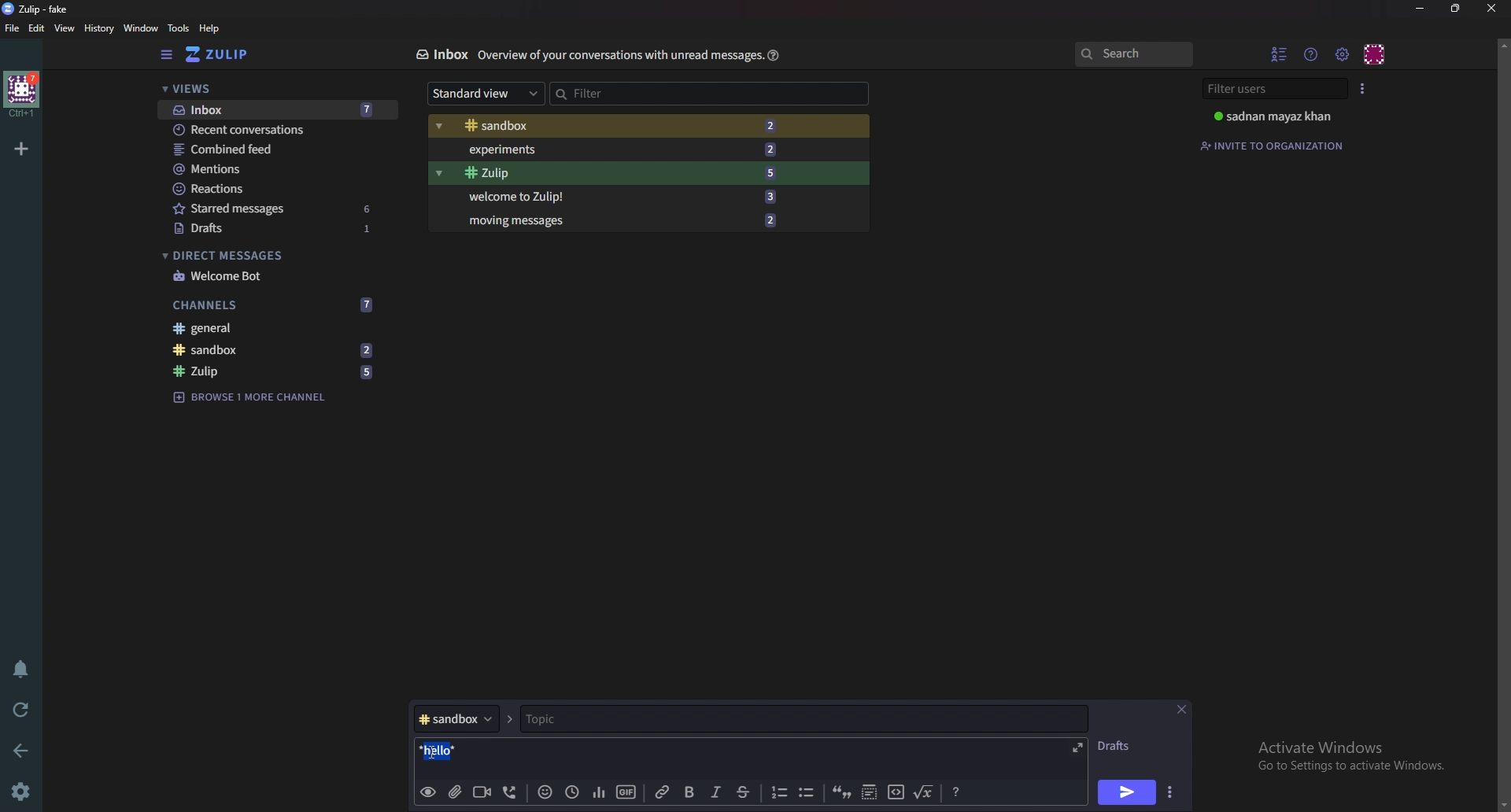 Image resolution: width=1511 pixels, height=812 pixels. Describe the element at coordinates (446, 749) in the screenshot. I see `hello` at that location.